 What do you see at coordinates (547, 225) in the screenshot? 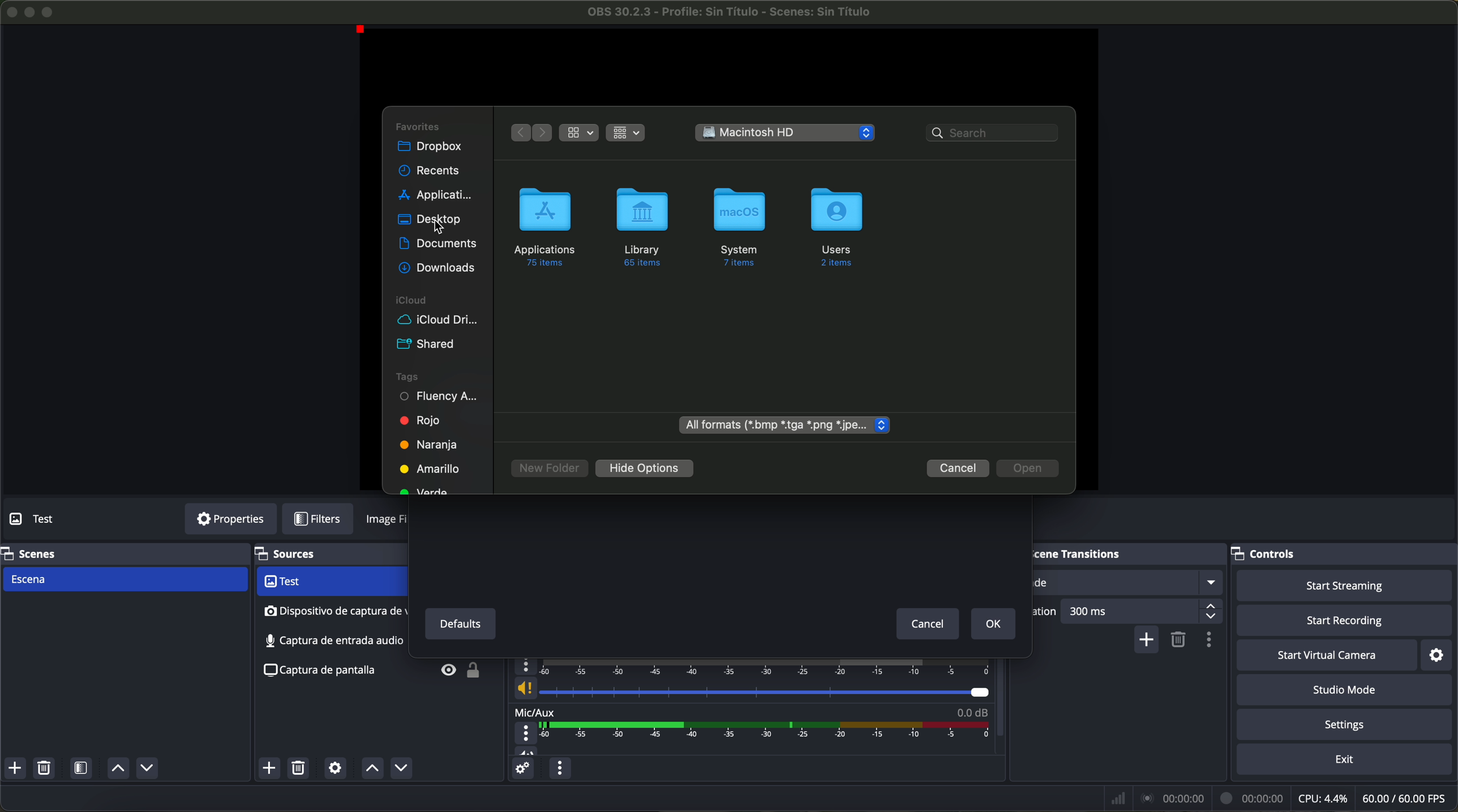
I see `applications folder` at bounding box center [547, 225].